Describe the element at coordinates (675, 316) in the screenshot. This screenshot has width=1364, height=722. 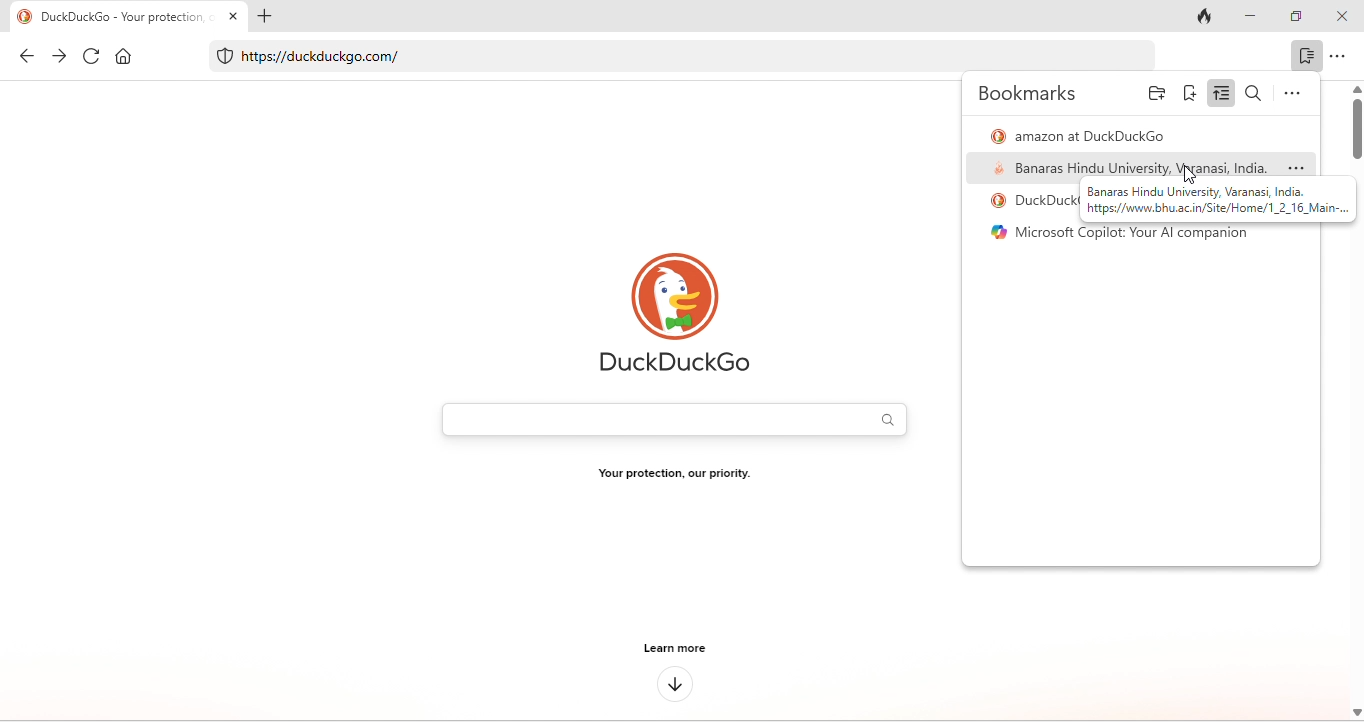
I see `duck duck go logo` at that location.